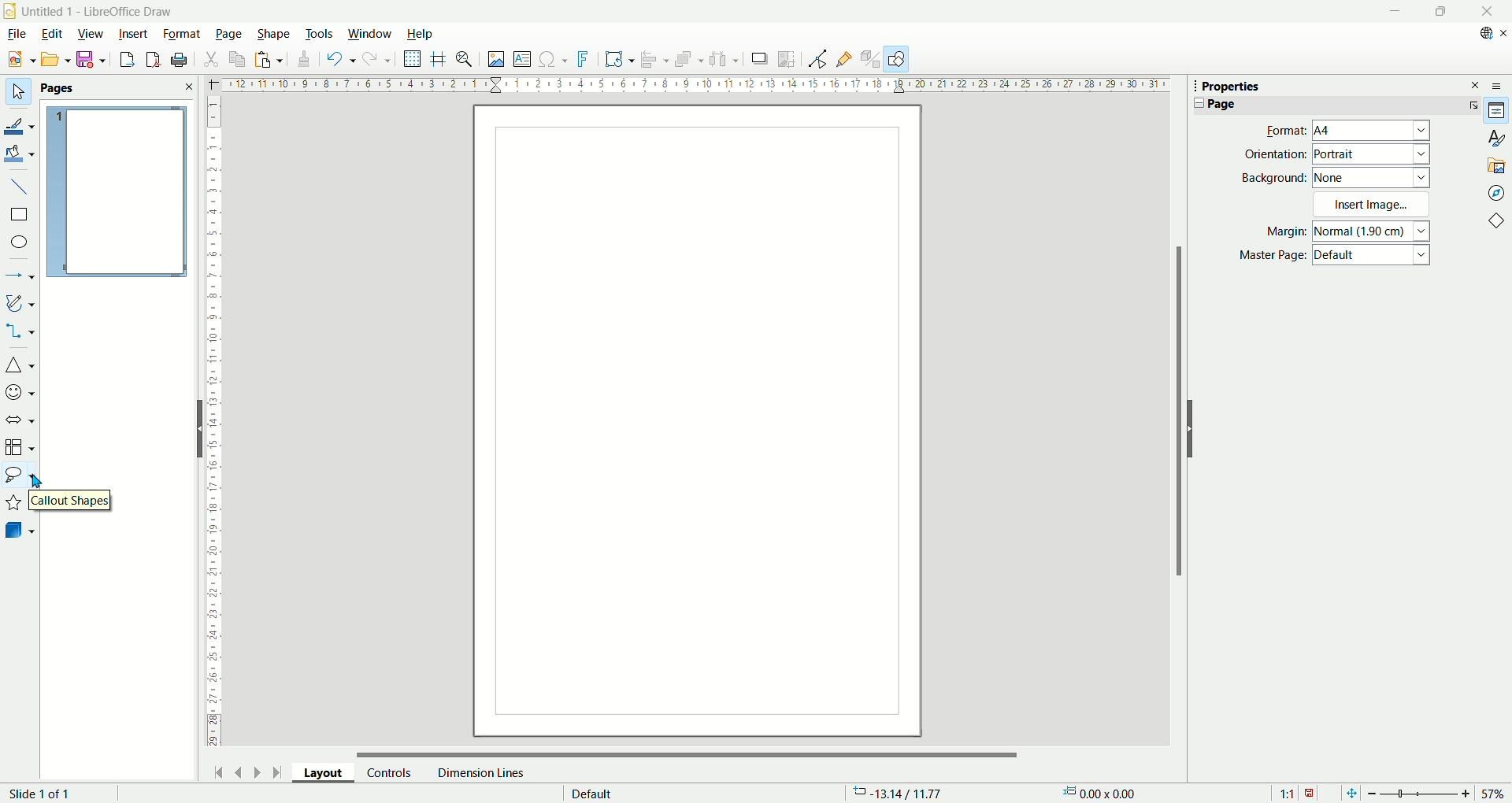  Describe the element at coordinates (1176, 419) in the screenshot. I see `Vertival scroll bar` at that location.